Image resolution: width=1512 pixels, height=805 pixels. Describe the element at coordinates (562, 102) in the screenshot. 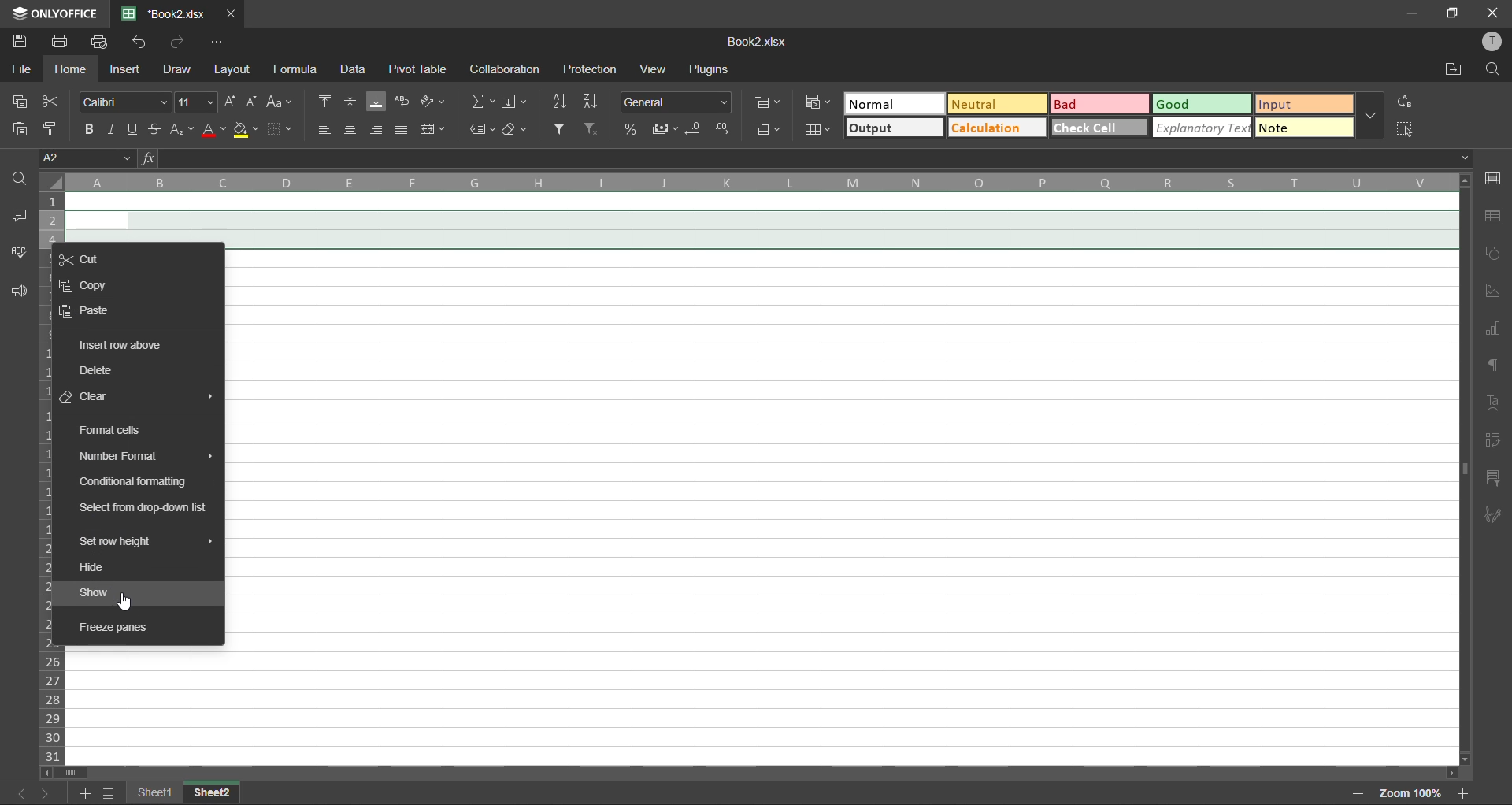

I see `sort ascending` at that location.